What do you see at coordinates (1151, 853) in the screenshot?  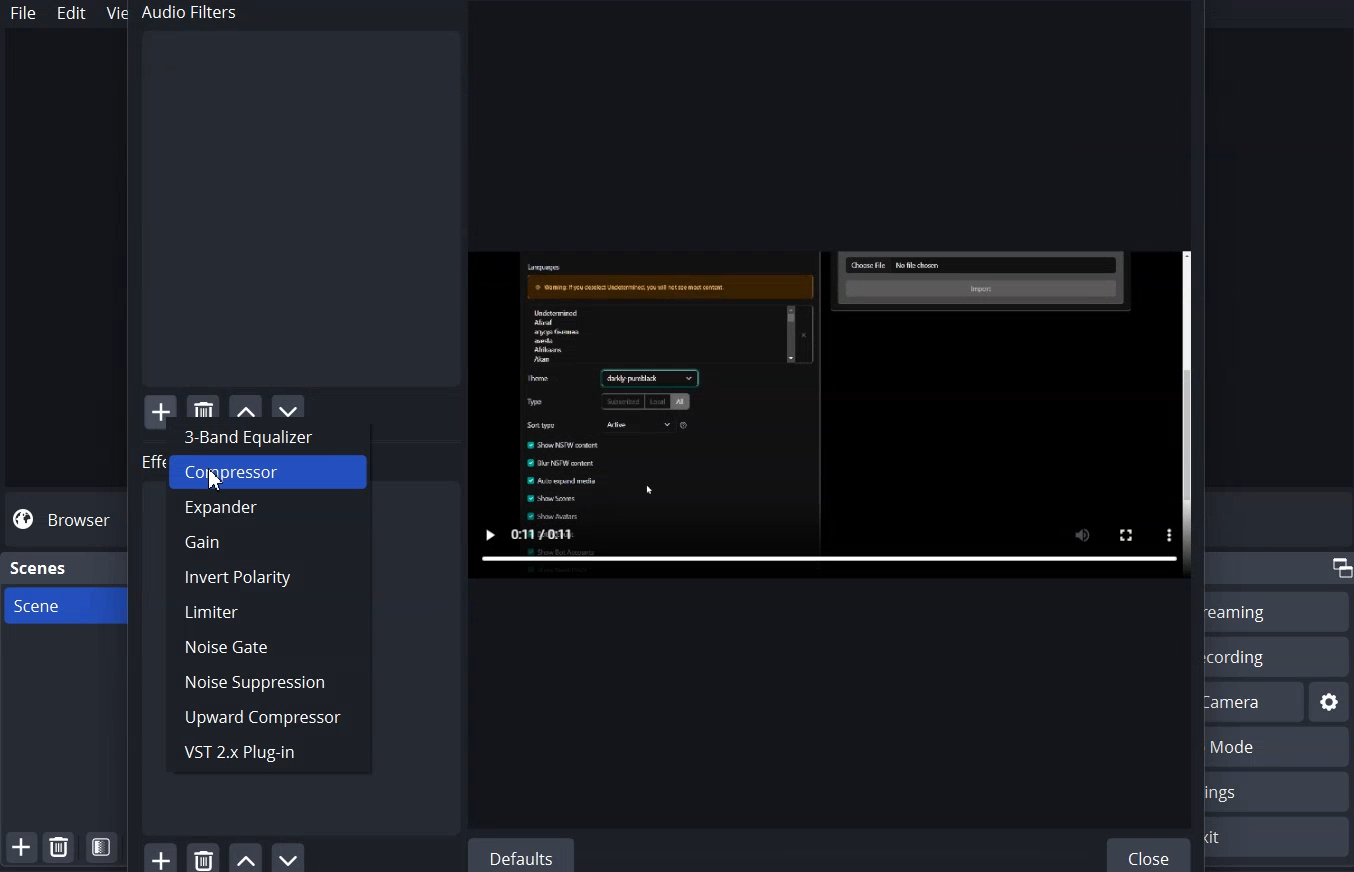 I see `Close` at bounding box center [1151, 853].